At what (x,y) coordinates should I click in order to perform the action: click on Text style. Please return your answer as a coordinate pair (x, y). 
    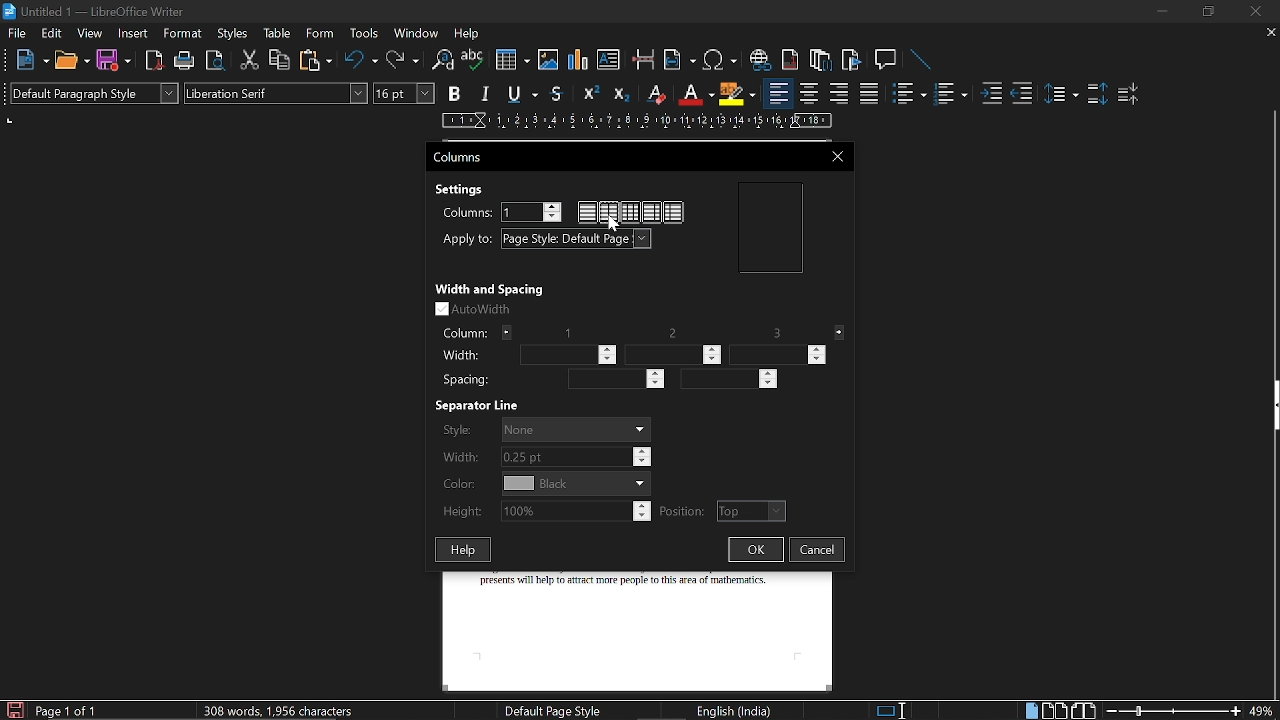
    Looking at the image, I should click on (276, 92).